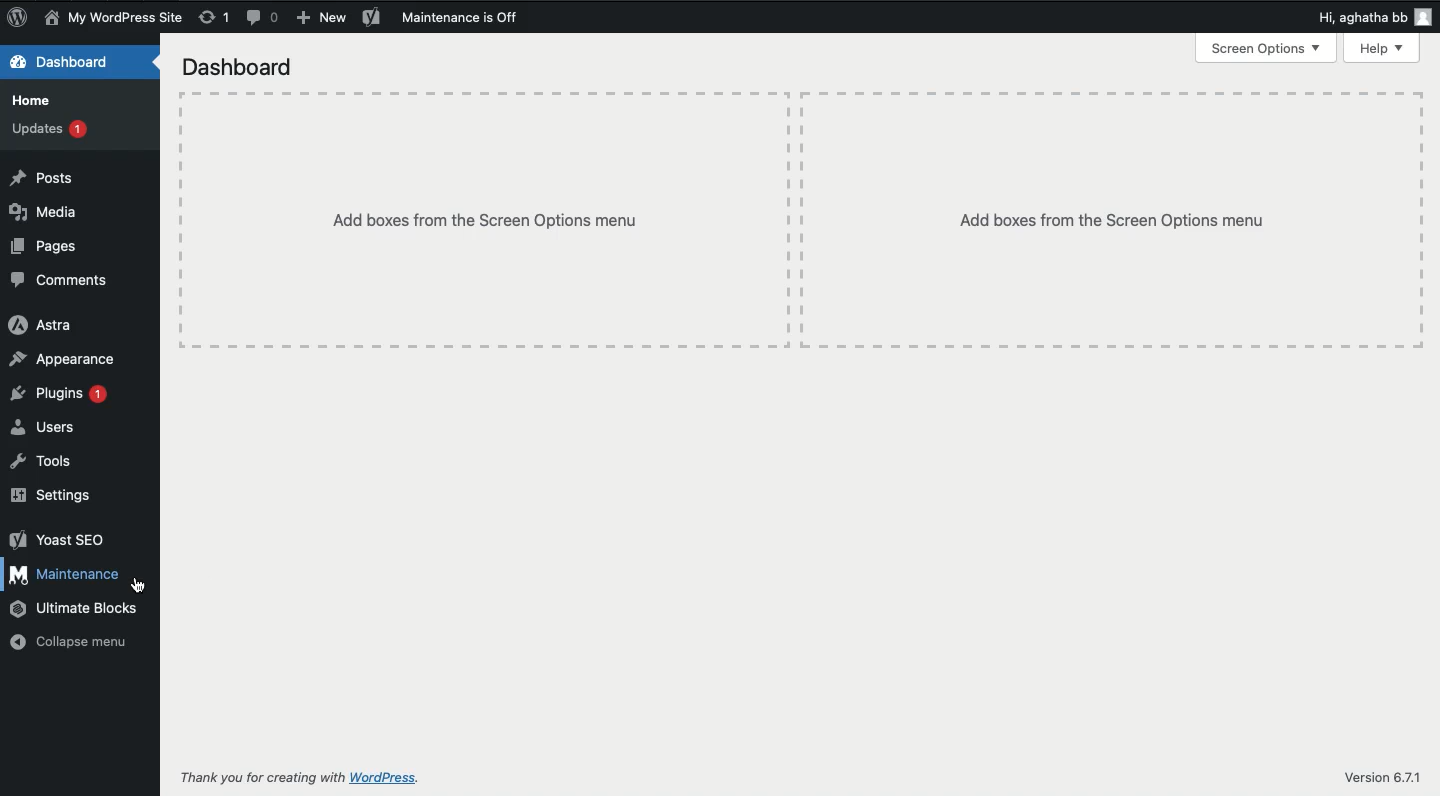 Image resolution: width=1440 pixels, height=796 pixels. What do you see at coordinates (1372, 14) in the screenshot?
I see `Hi user` at bounding box center [1372, 14].